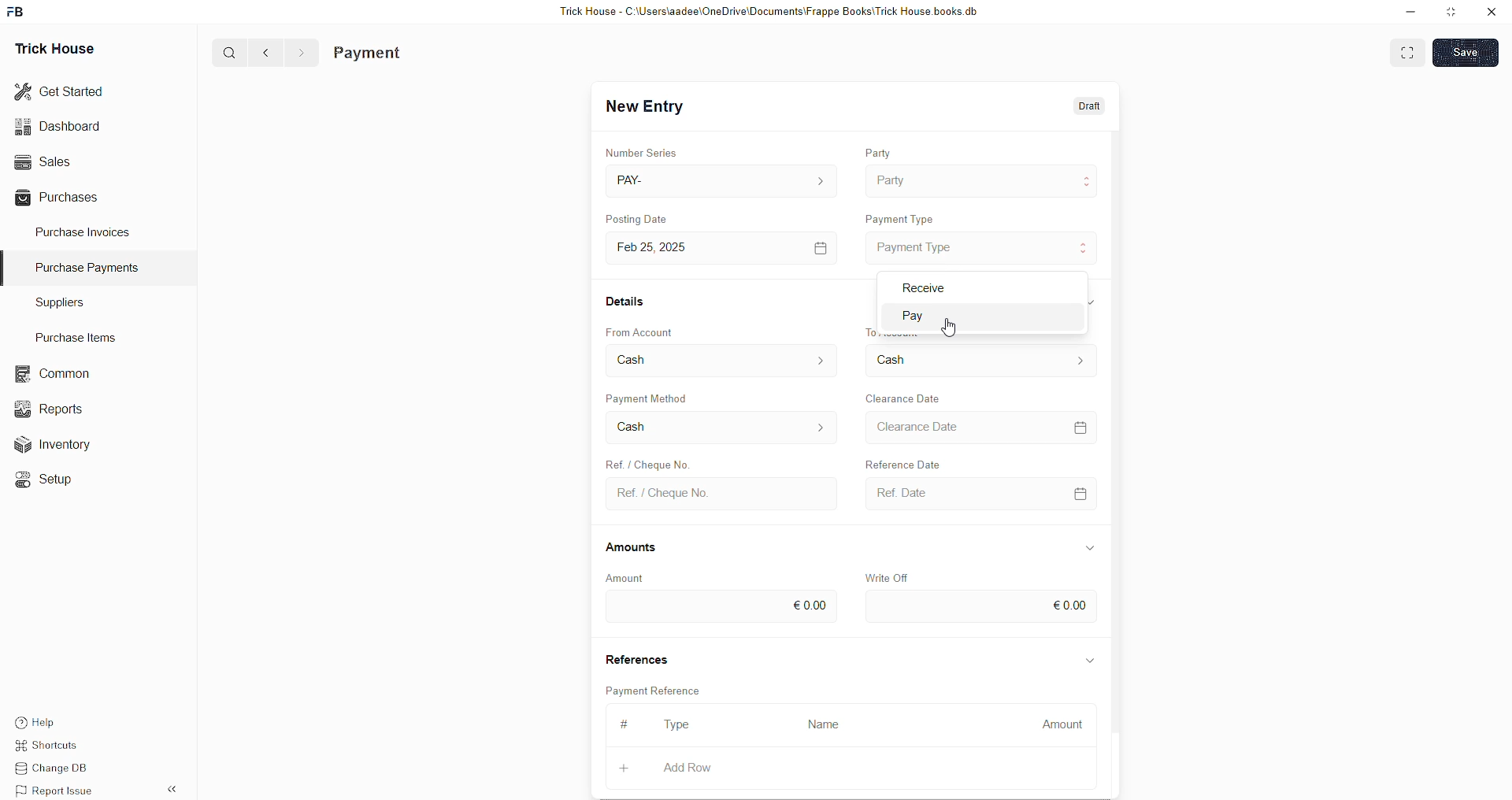 This screenshot has height=800, width=1512. I want to click on Sales, so click(41, 160).